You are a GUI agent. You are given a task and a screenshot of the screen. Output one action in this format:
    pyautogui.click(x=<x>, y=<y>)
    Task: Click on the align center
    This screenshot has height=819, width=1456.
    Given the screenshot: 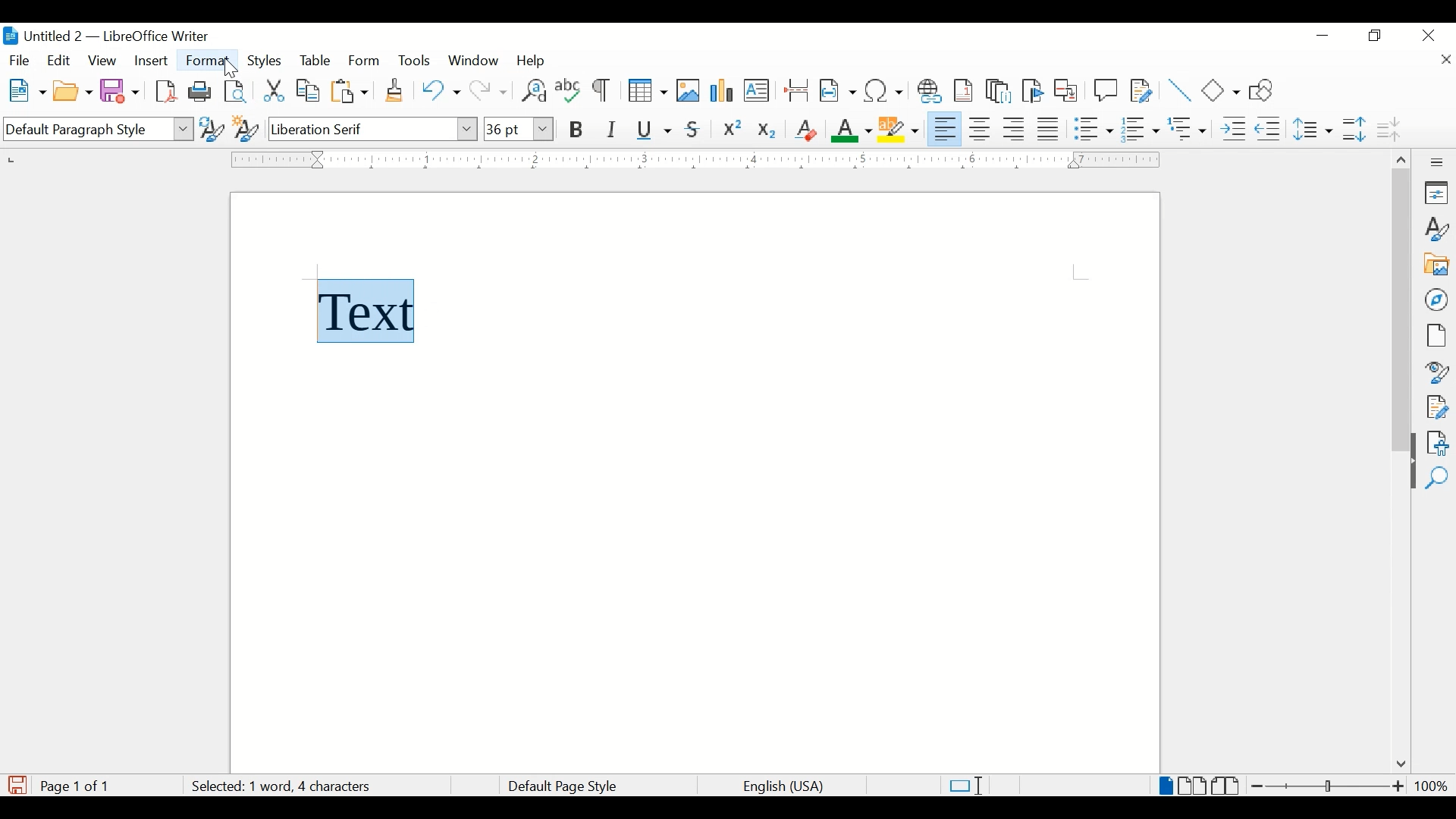 What is the action you would take?
    pyautogui.click(x=982, y=129)
    